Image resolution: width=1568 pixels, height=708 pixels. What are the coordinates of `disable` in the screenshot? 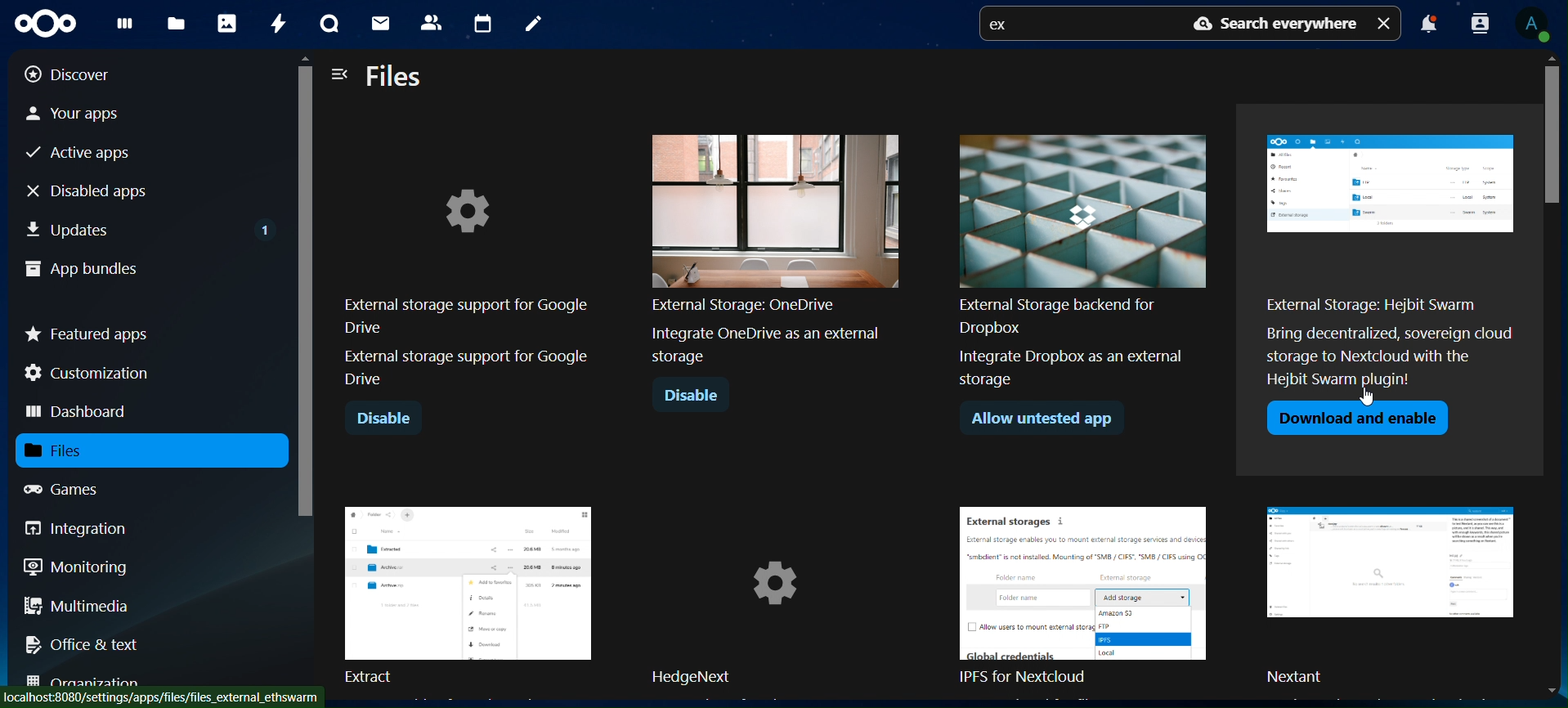 It's located at (383, 419).